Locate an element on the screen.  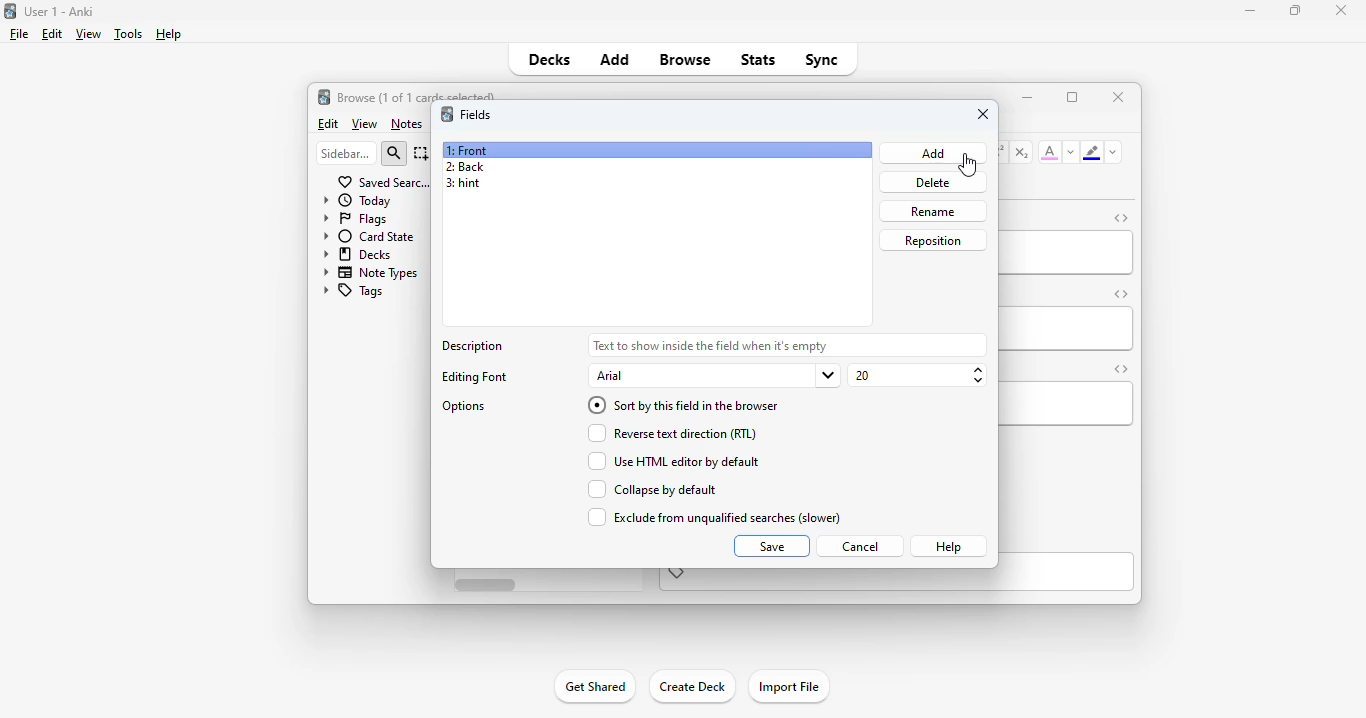
decks is located at coordinates (359, 253).